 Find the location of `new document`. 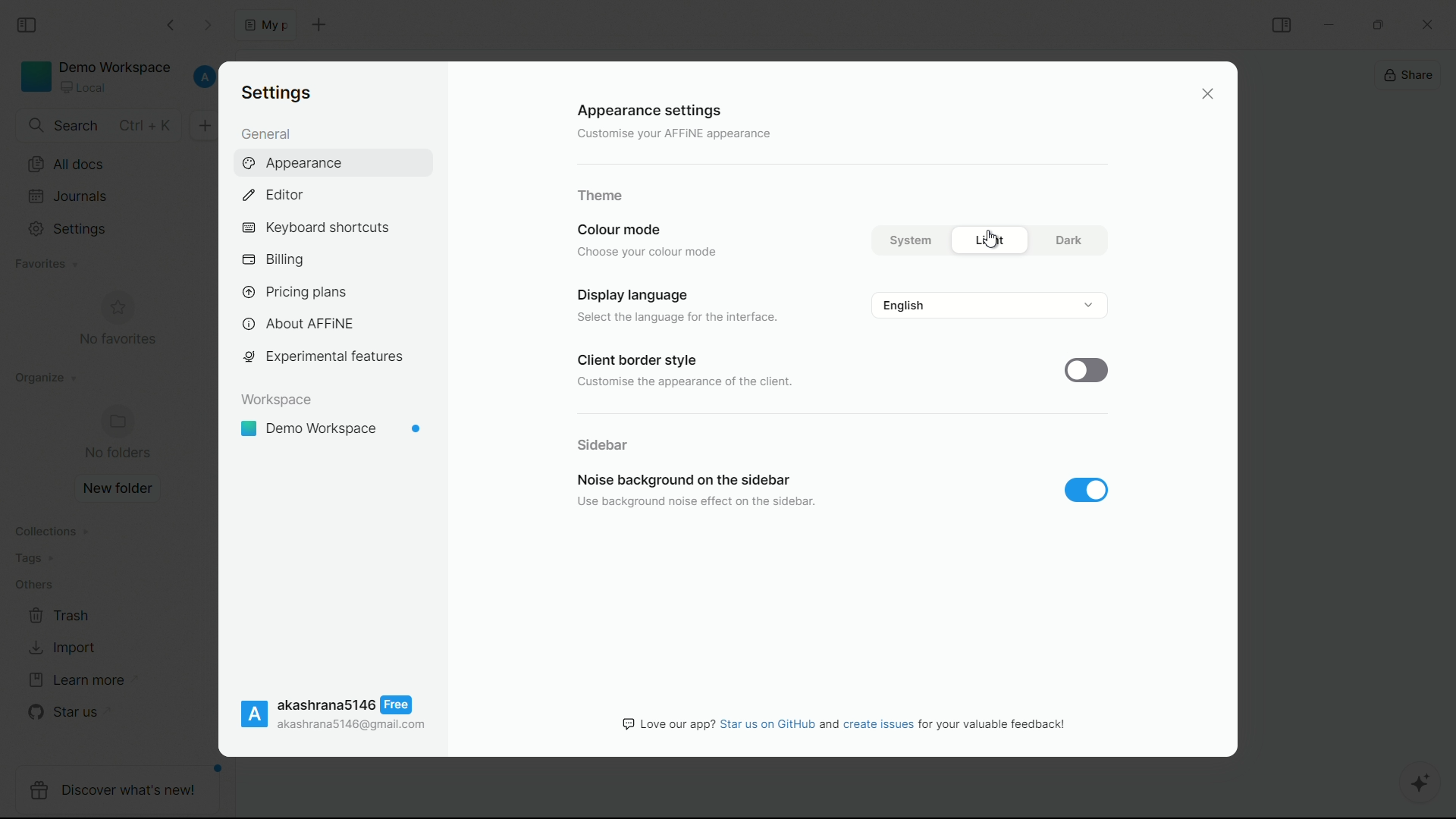

new document is located at coordinates (202, 124).